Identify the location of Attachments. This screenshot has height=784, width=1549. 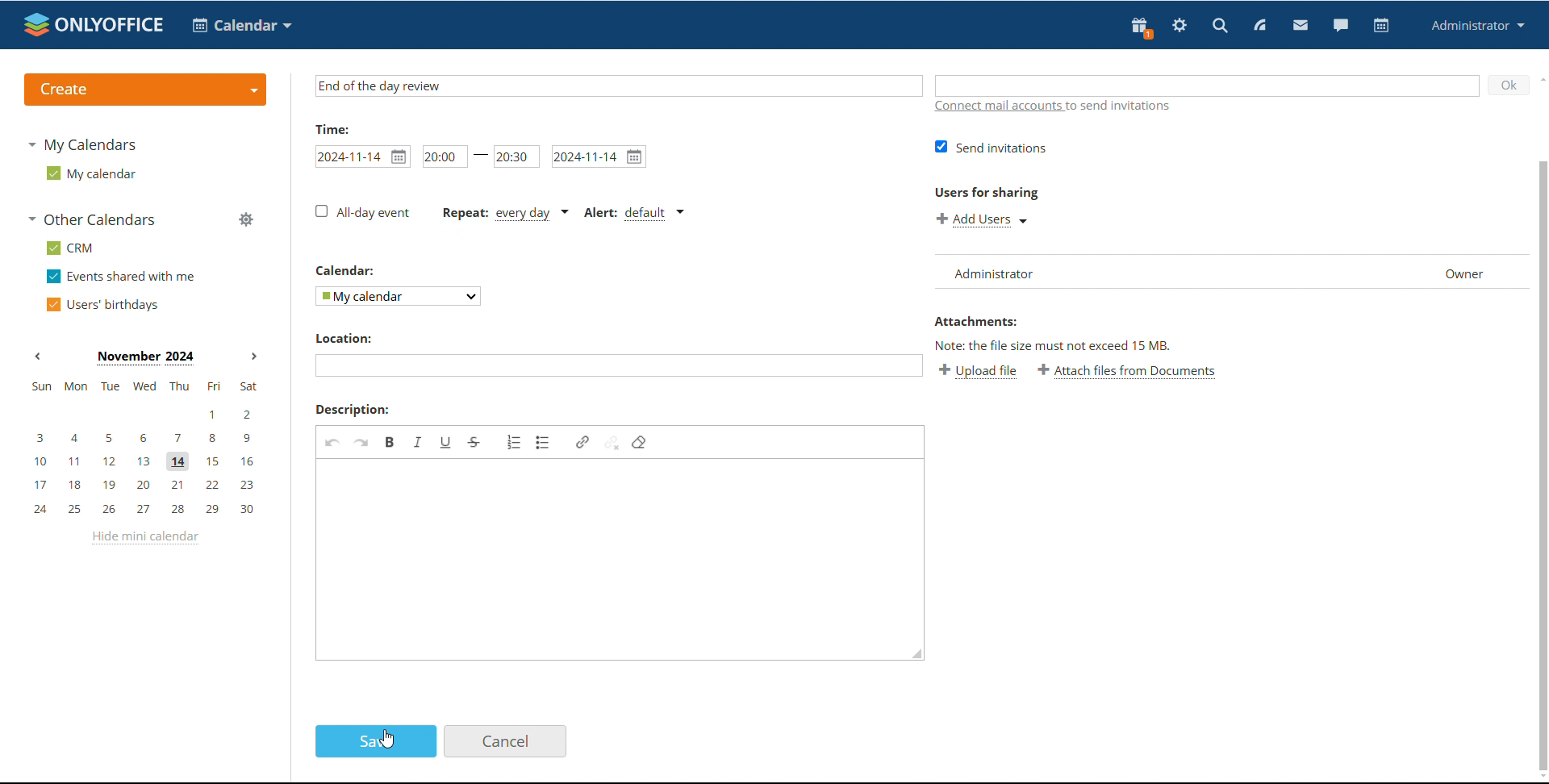
(975, 322).